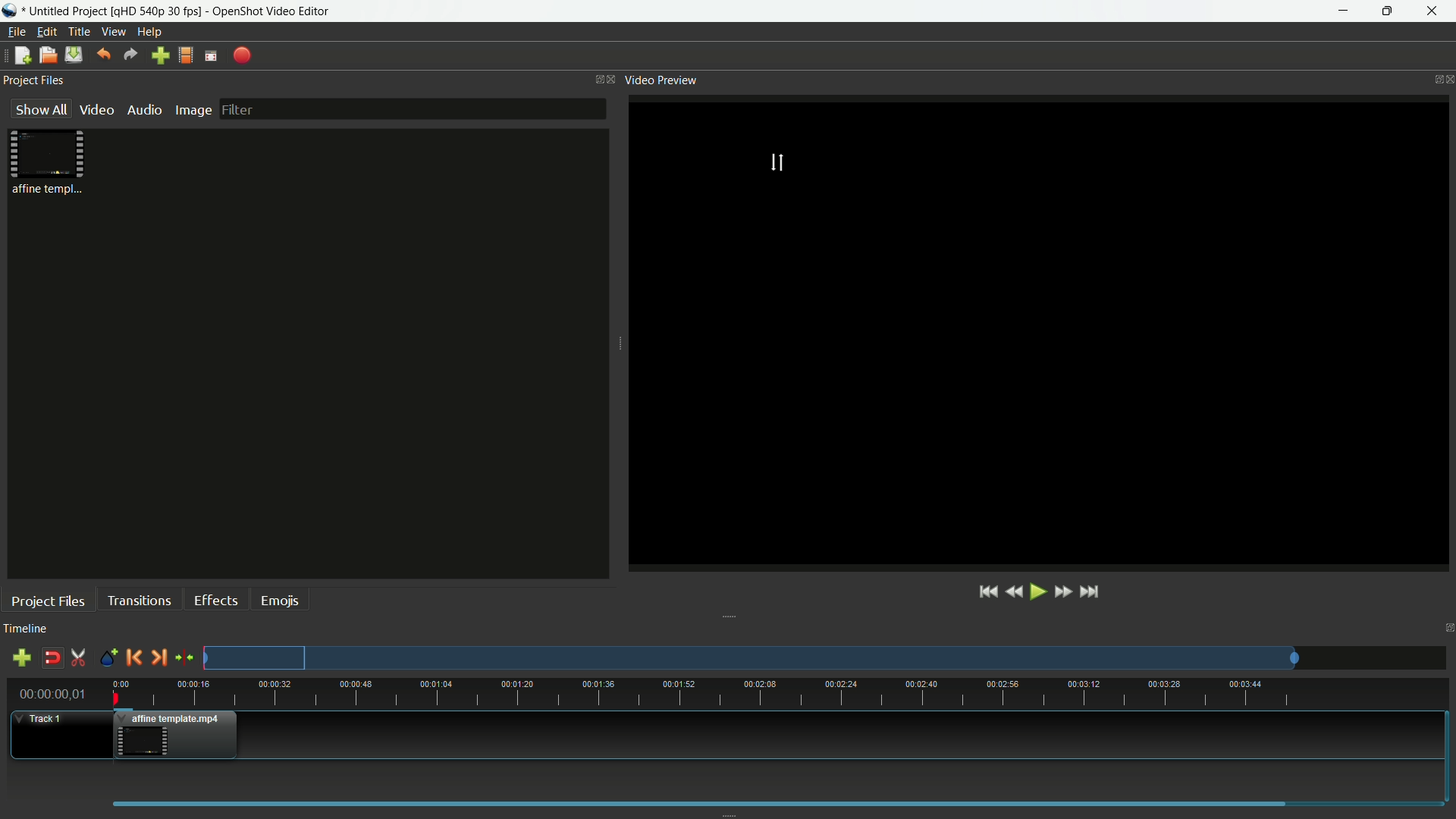 The height and width of the screenshot is (819, 1456). What do you see at coordinates (1447, 629) in the screenshot?
I see `close timeline` at bounding box center [1447, 629].